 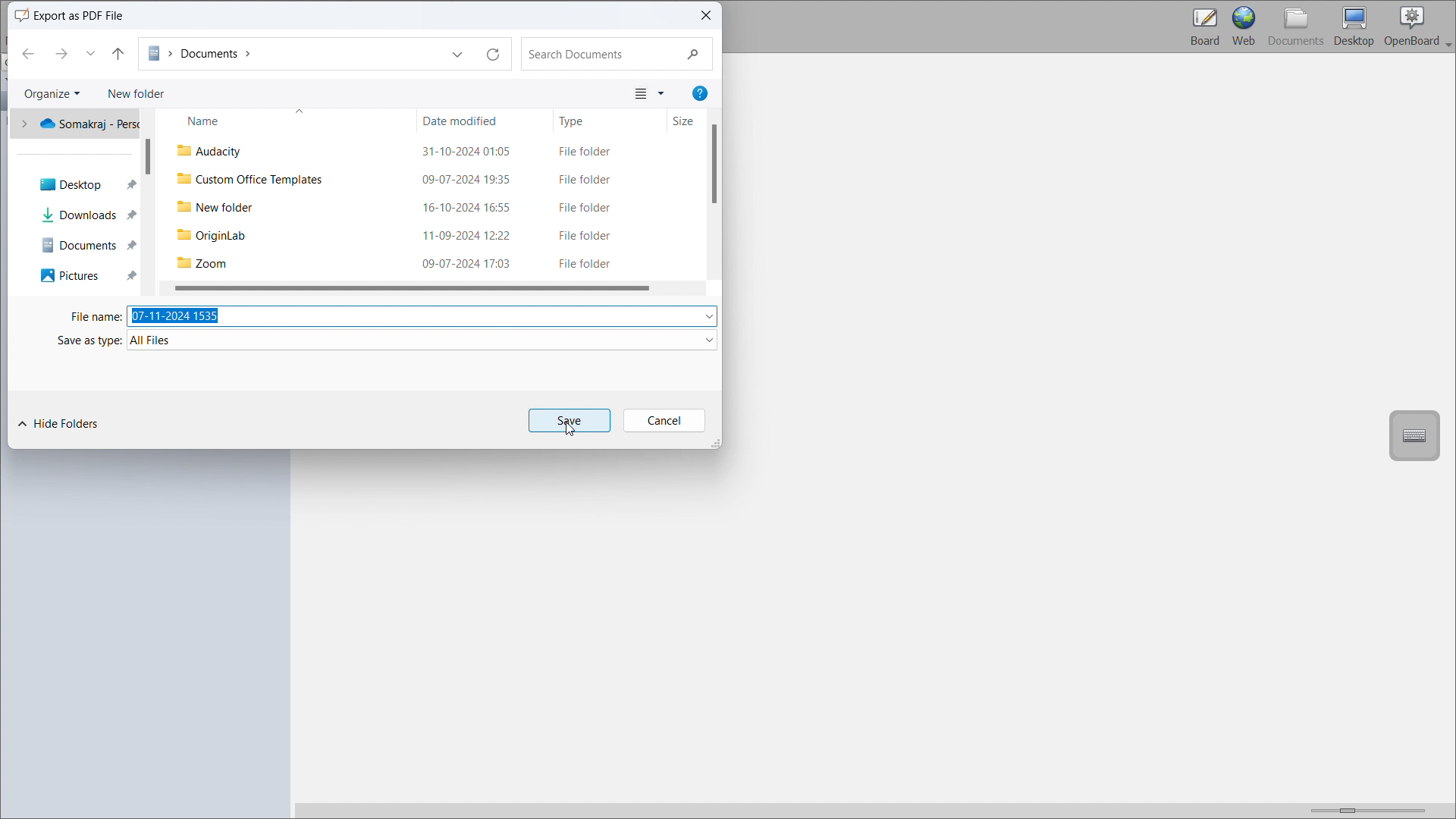 I want to click on File name: 07-11-2024 1535(set file name), so click(x=388, y=314).